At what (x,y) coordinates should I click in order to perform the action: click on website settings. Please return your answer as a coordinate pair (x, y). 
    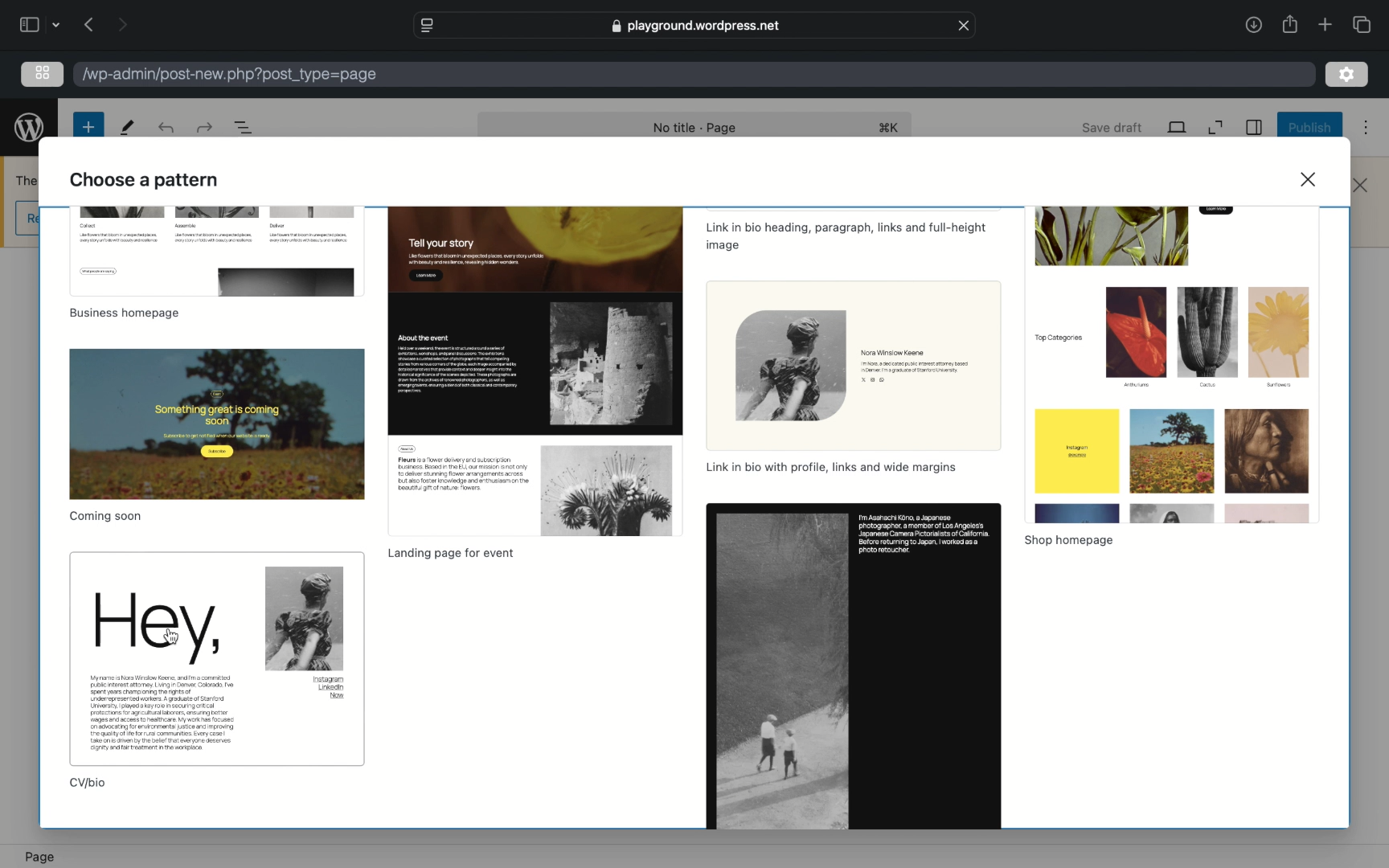
    Looking at the image, I should click on (427, 26).